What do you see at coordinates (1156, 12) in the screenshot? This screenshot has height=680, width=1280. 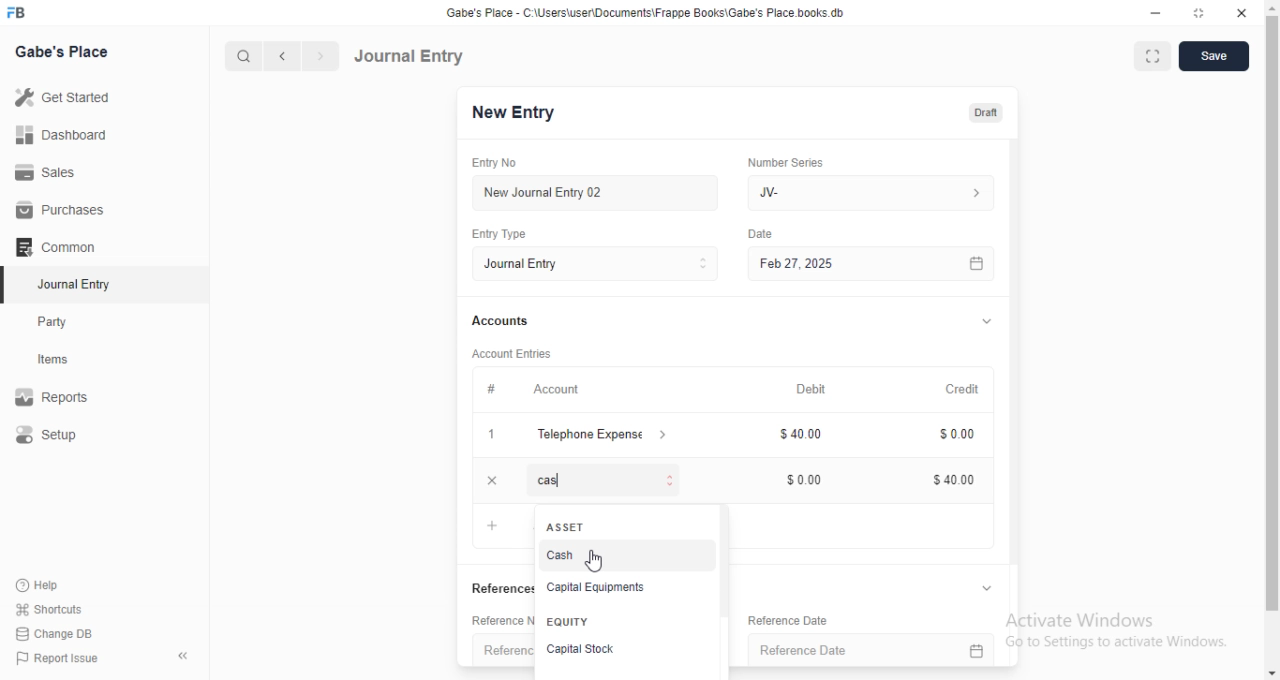 I see `Minimize` at bounding box center [1156, 12].